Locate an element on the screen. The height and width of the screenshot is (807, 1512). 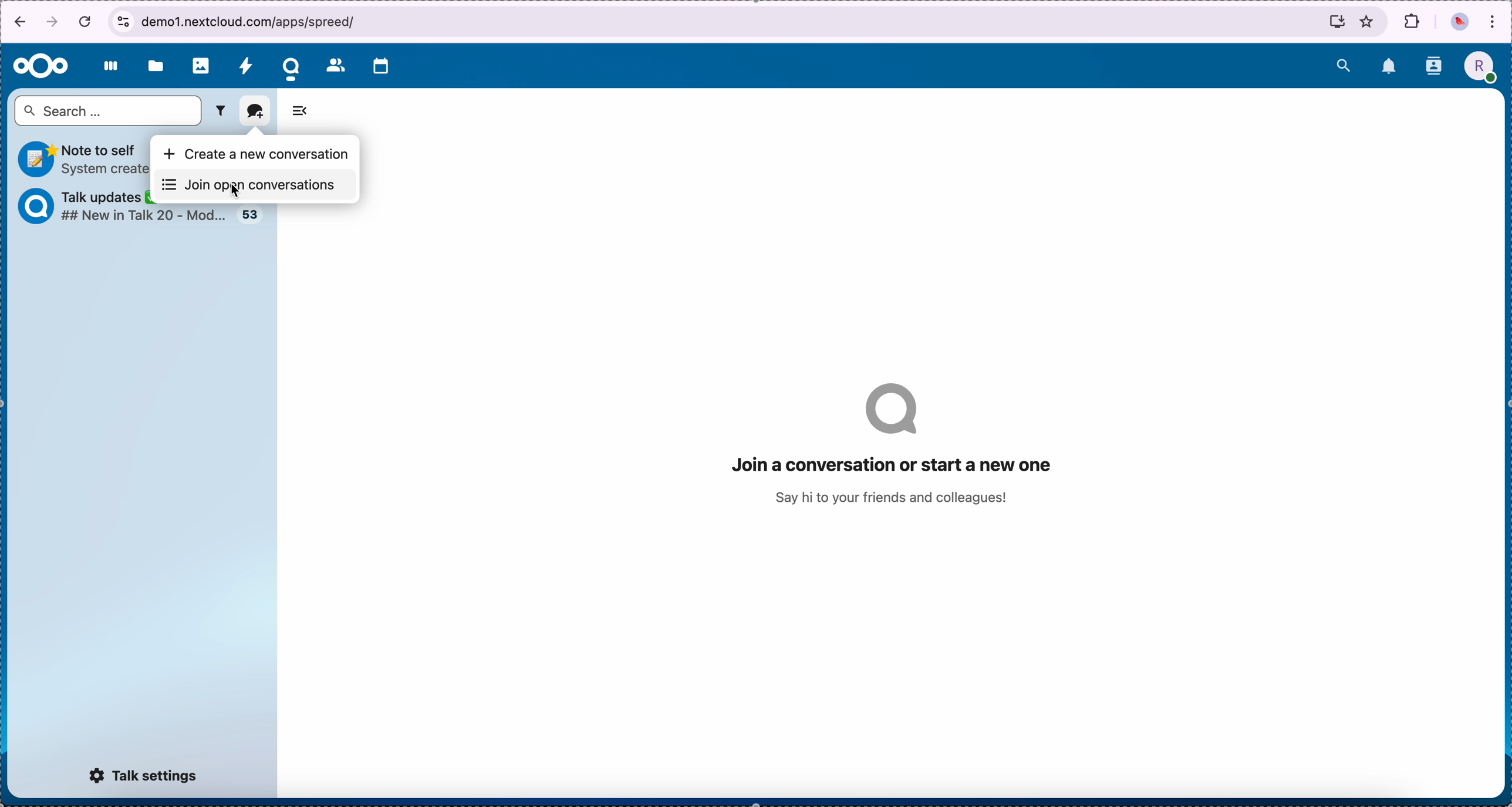
activity is located at coordinates (247, 63).